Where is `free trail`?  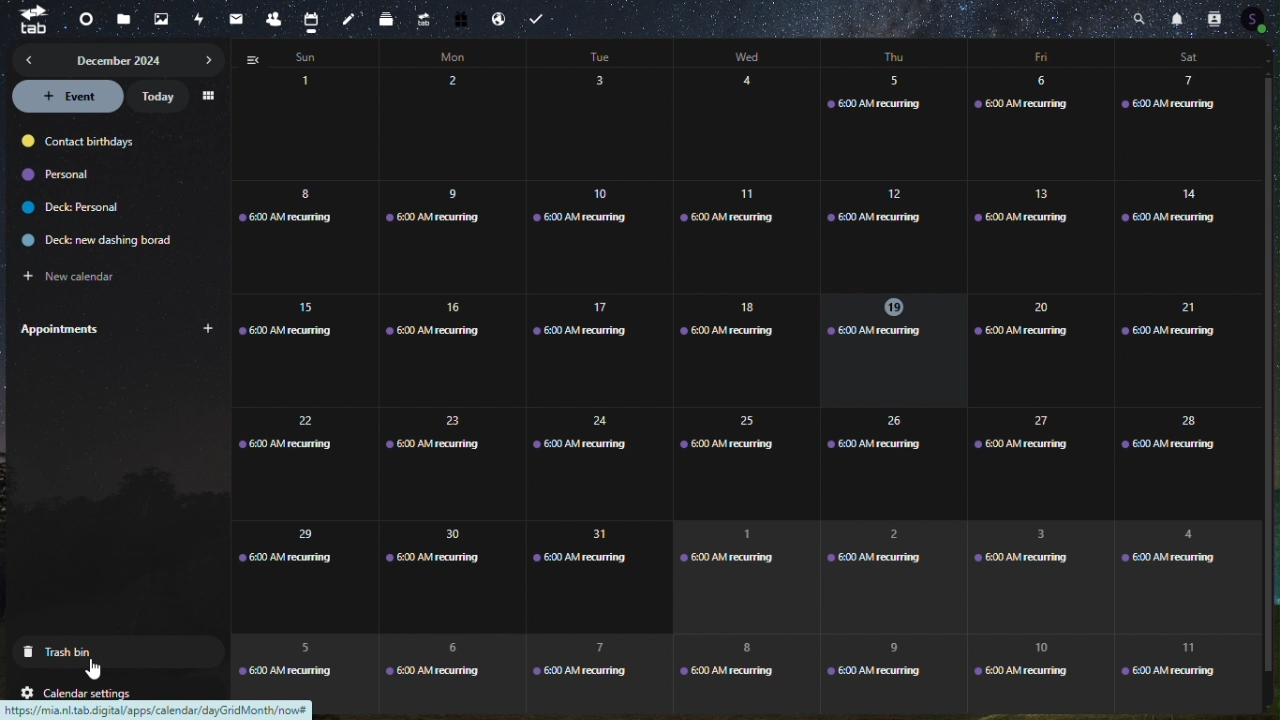 free trail is located at coordinates (460, 18).